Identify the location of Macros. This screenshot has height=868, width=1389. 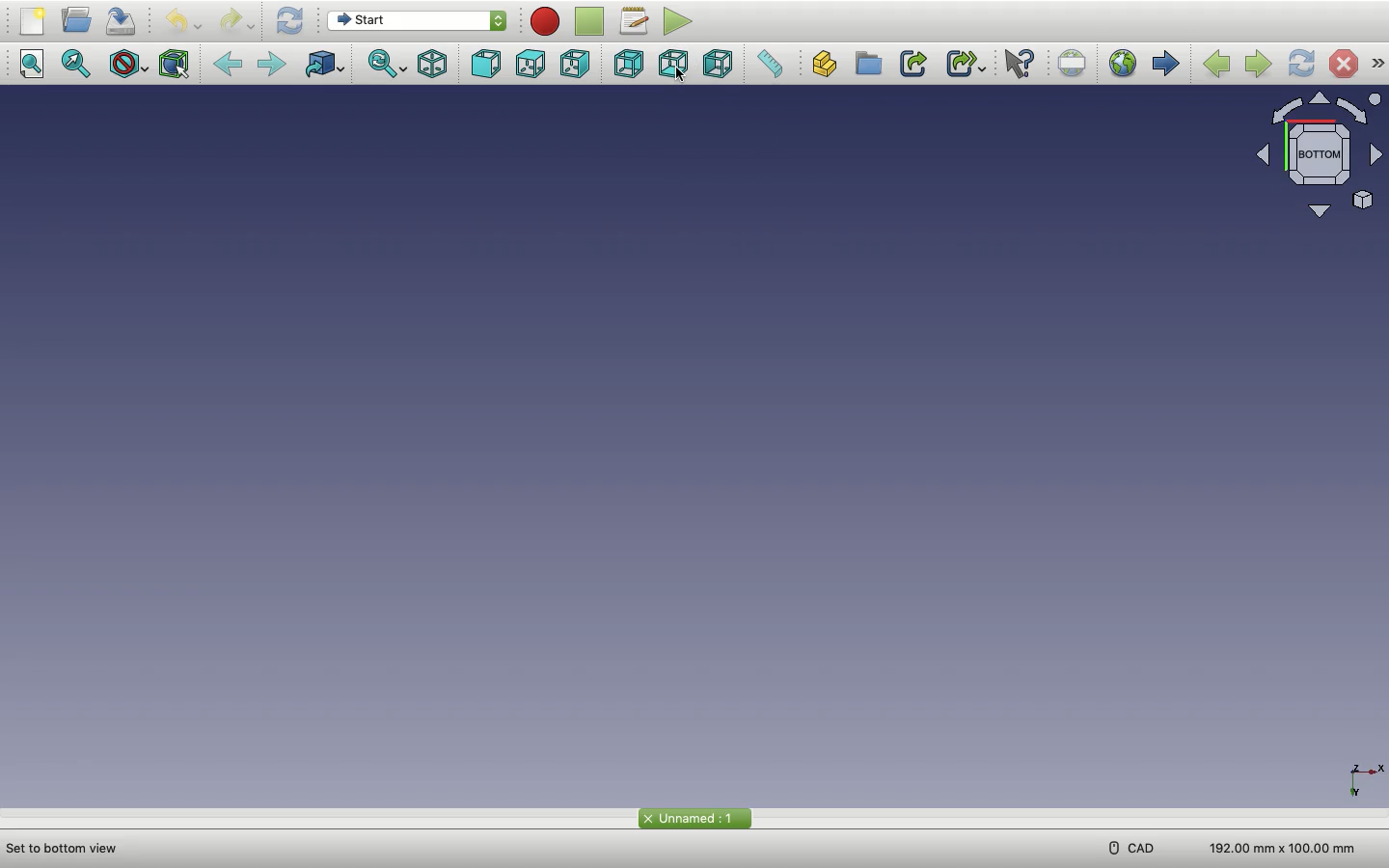
(637, 23).